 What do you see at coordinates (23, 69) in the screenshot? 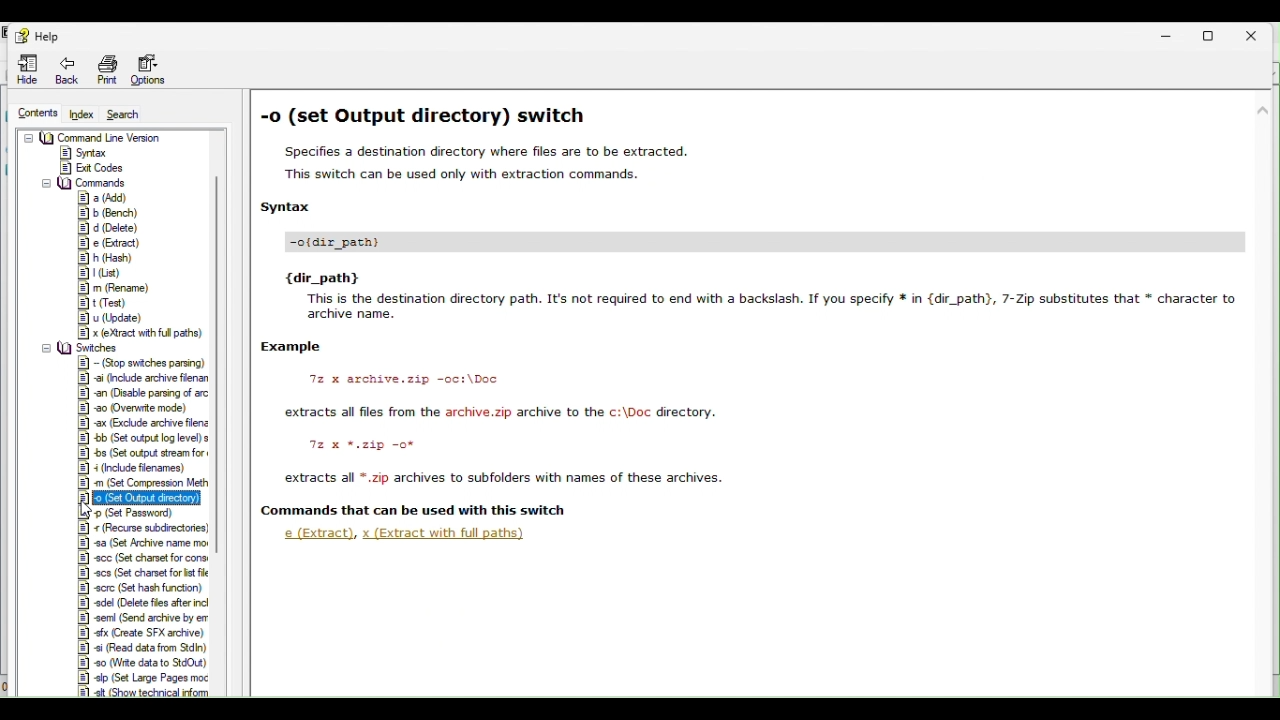
I see `Hide` at bounding box center [23, 69].